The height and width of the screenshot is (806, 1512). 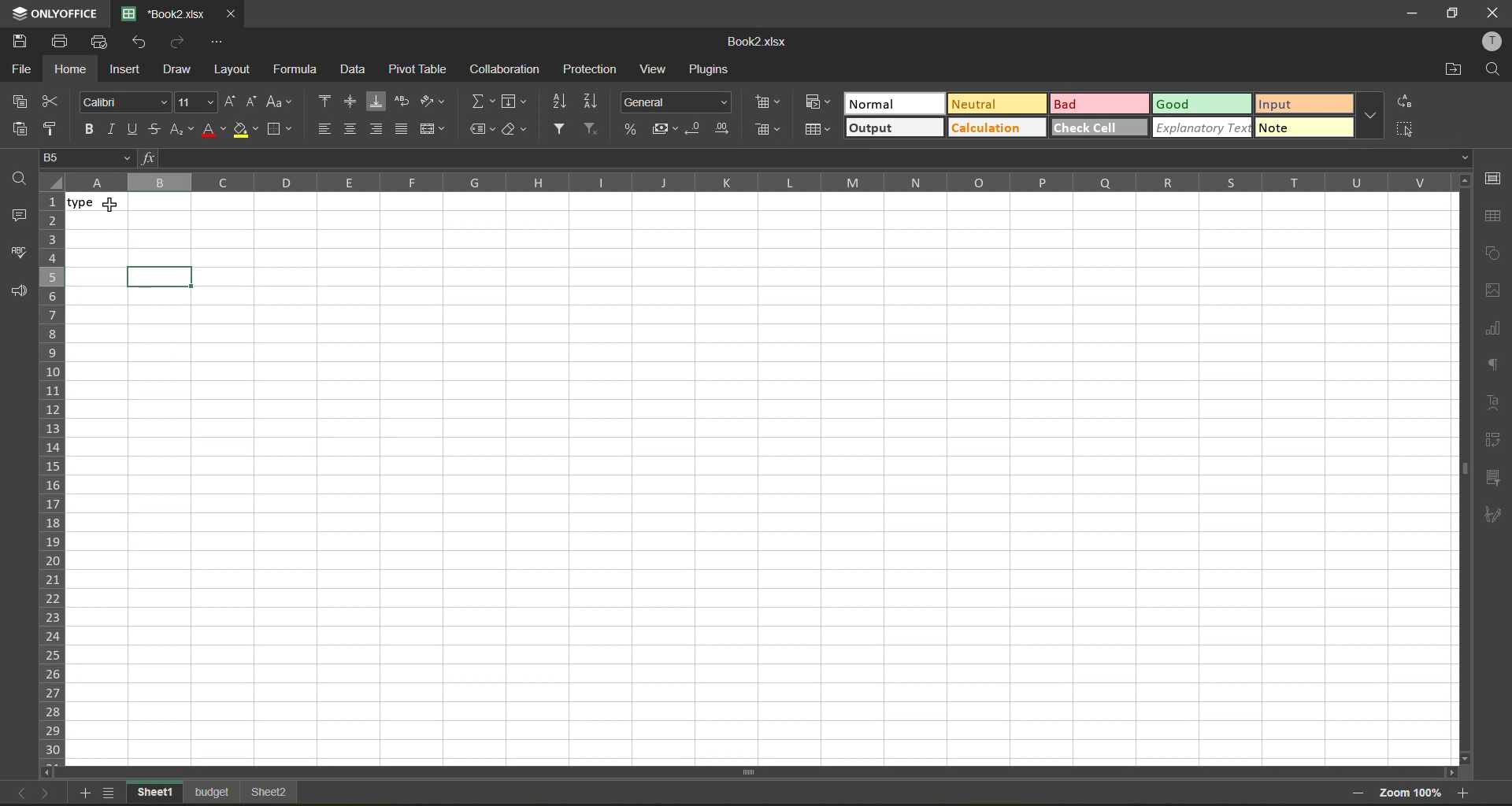 What do you see at coordinates (515, 102) in the screenshot?
I see `fields` at bounding box center [515, 102].